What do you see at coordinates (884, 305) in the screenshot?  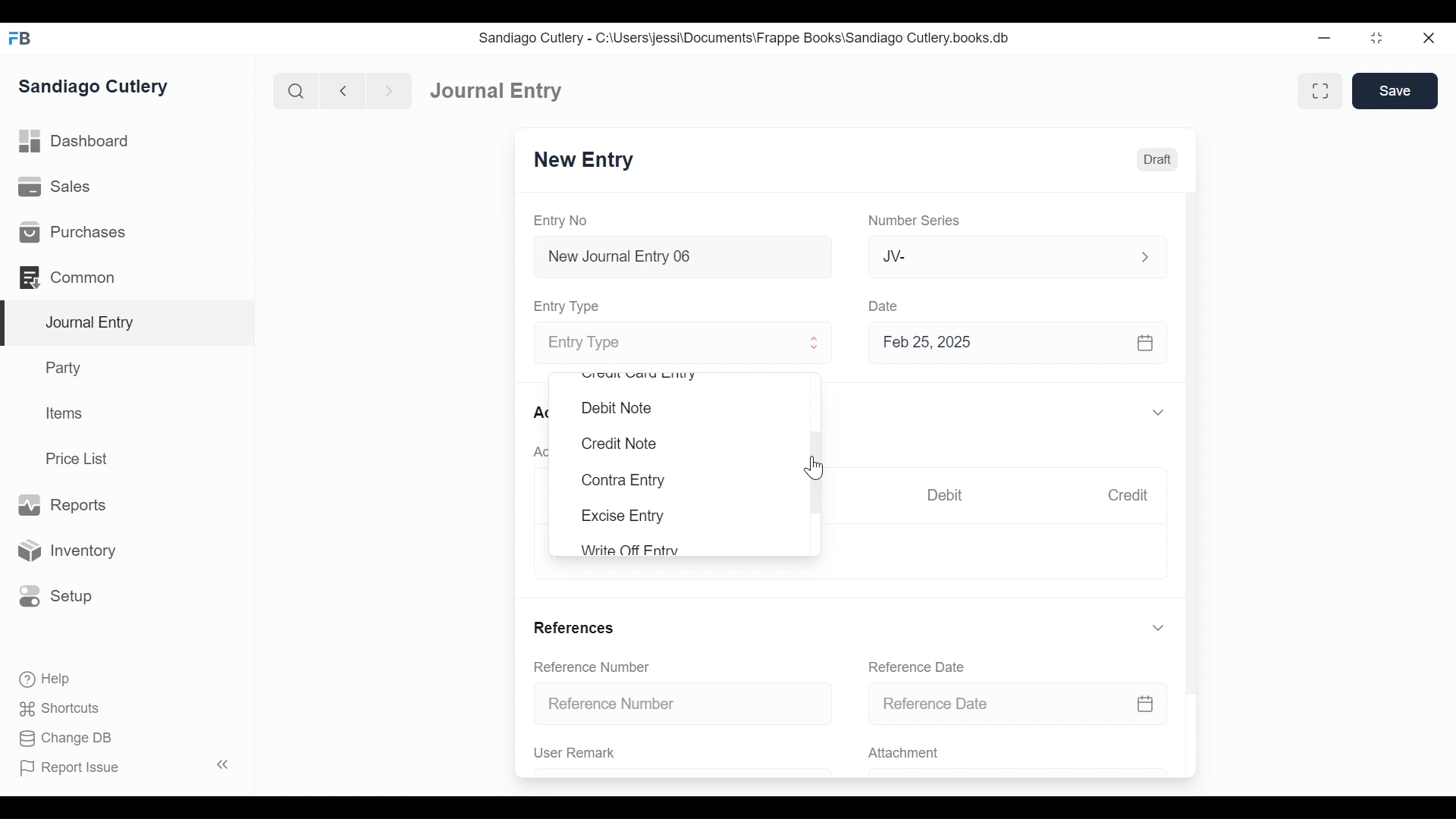 I see `Date` at bounding box center [884, 305].